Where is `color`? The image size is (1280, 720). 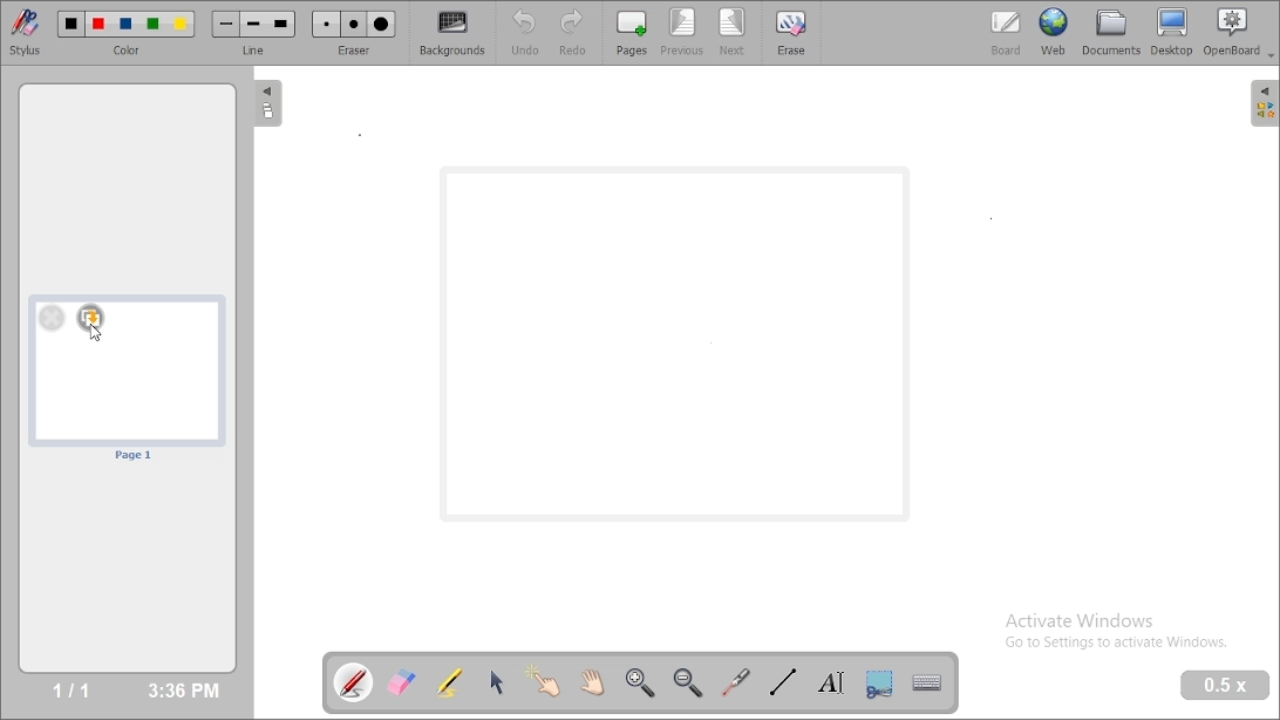
color is located at coordinates (130, 51).